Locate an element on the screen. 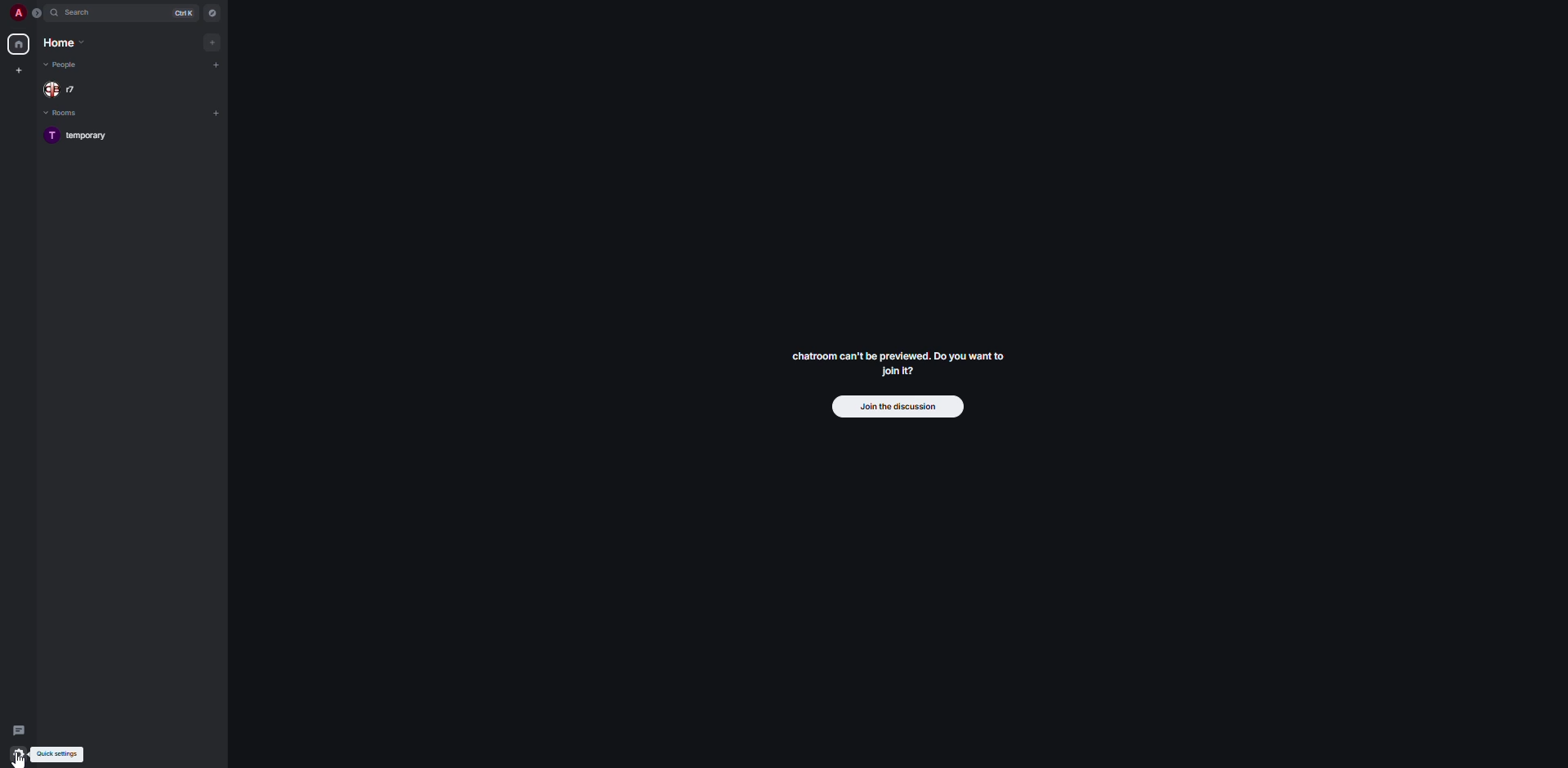 The width and height of the screenshot is (1568, 768). create space is located at coordinates (18, 69).